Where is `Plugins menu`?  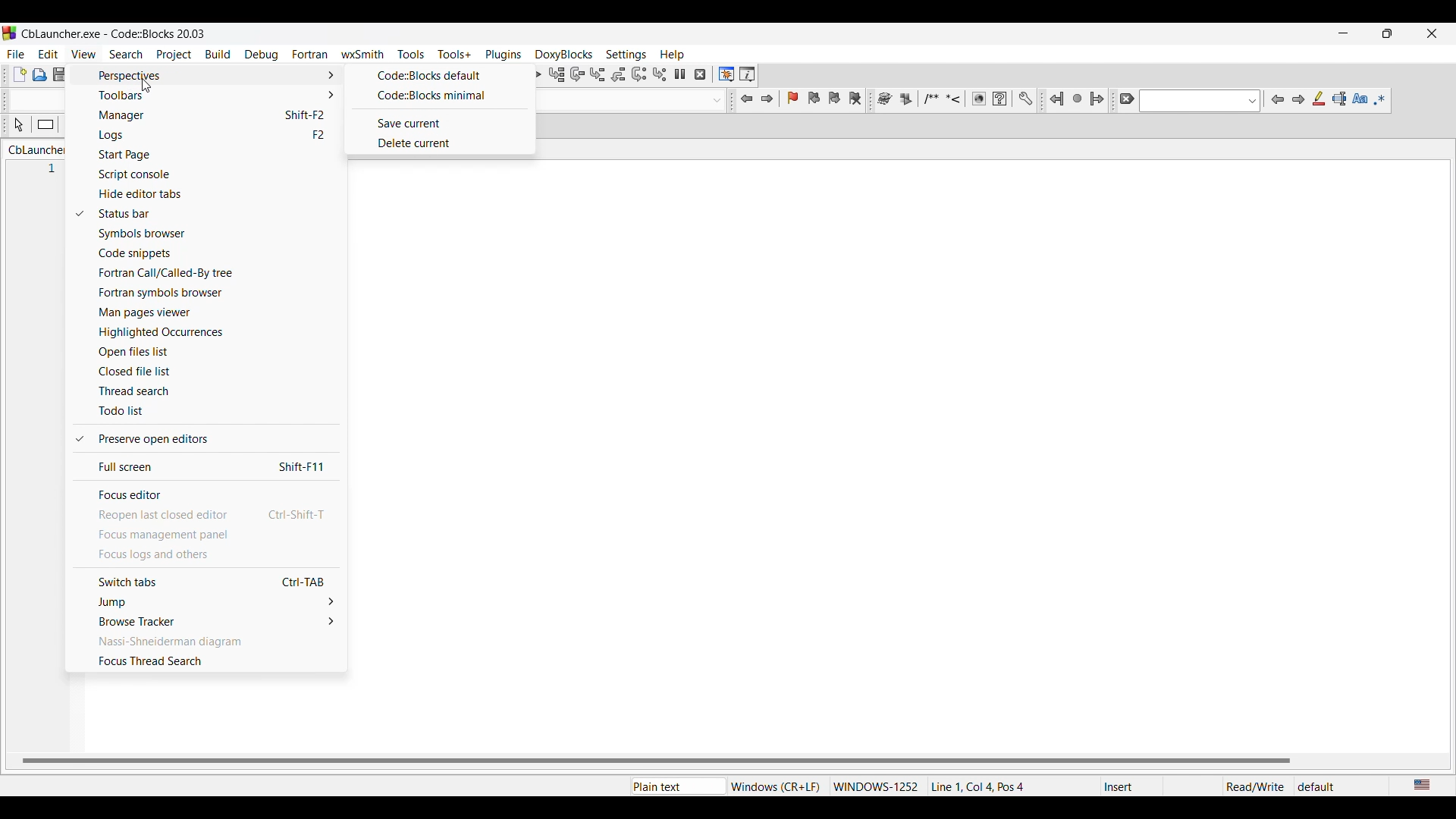
Plugins menu is located at coordinates (504, 55).